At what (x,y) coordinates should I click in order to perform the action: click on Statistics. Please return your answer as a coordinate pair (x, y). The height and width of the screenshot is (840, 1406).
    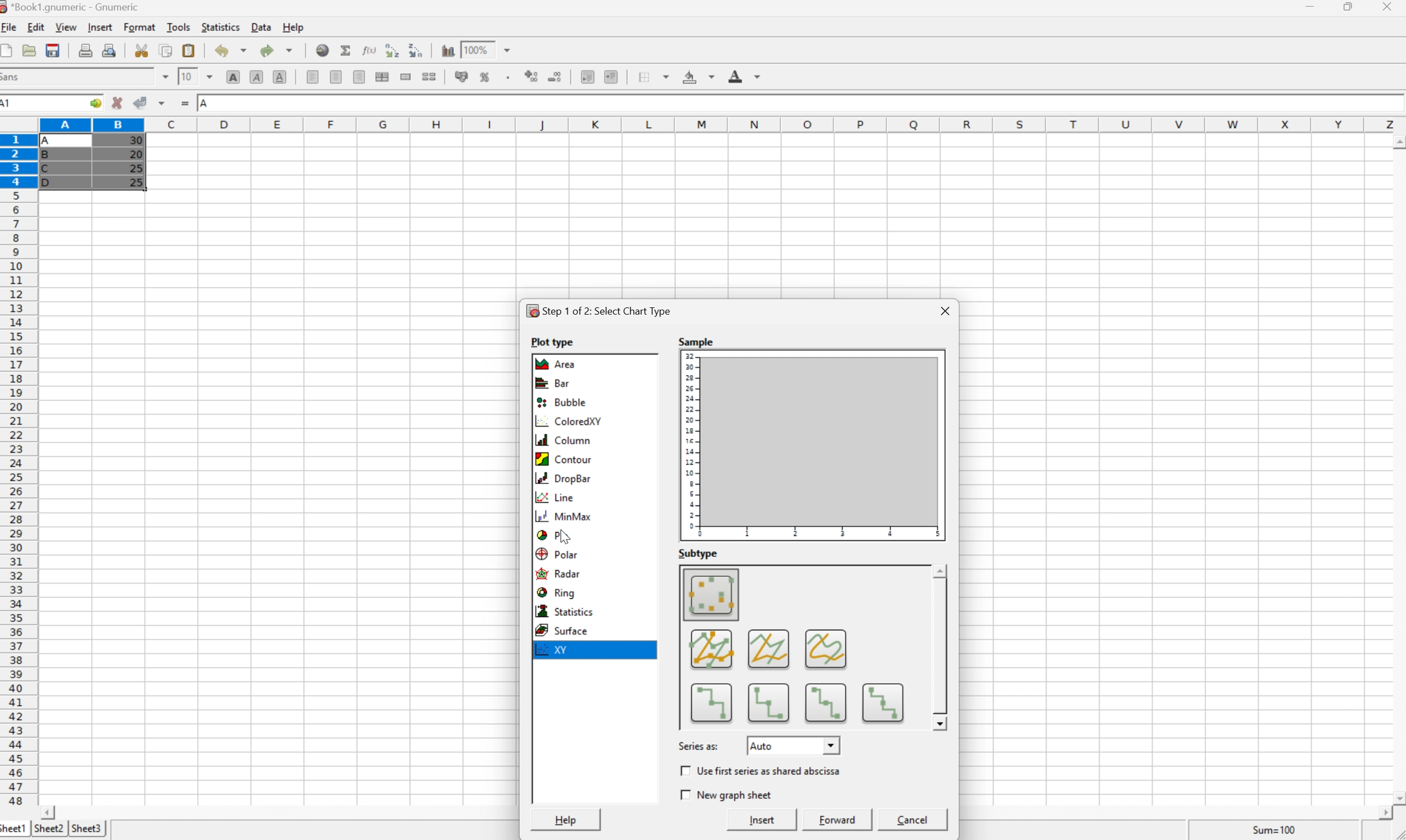
    Looking at the image, I should click on (221, 27).